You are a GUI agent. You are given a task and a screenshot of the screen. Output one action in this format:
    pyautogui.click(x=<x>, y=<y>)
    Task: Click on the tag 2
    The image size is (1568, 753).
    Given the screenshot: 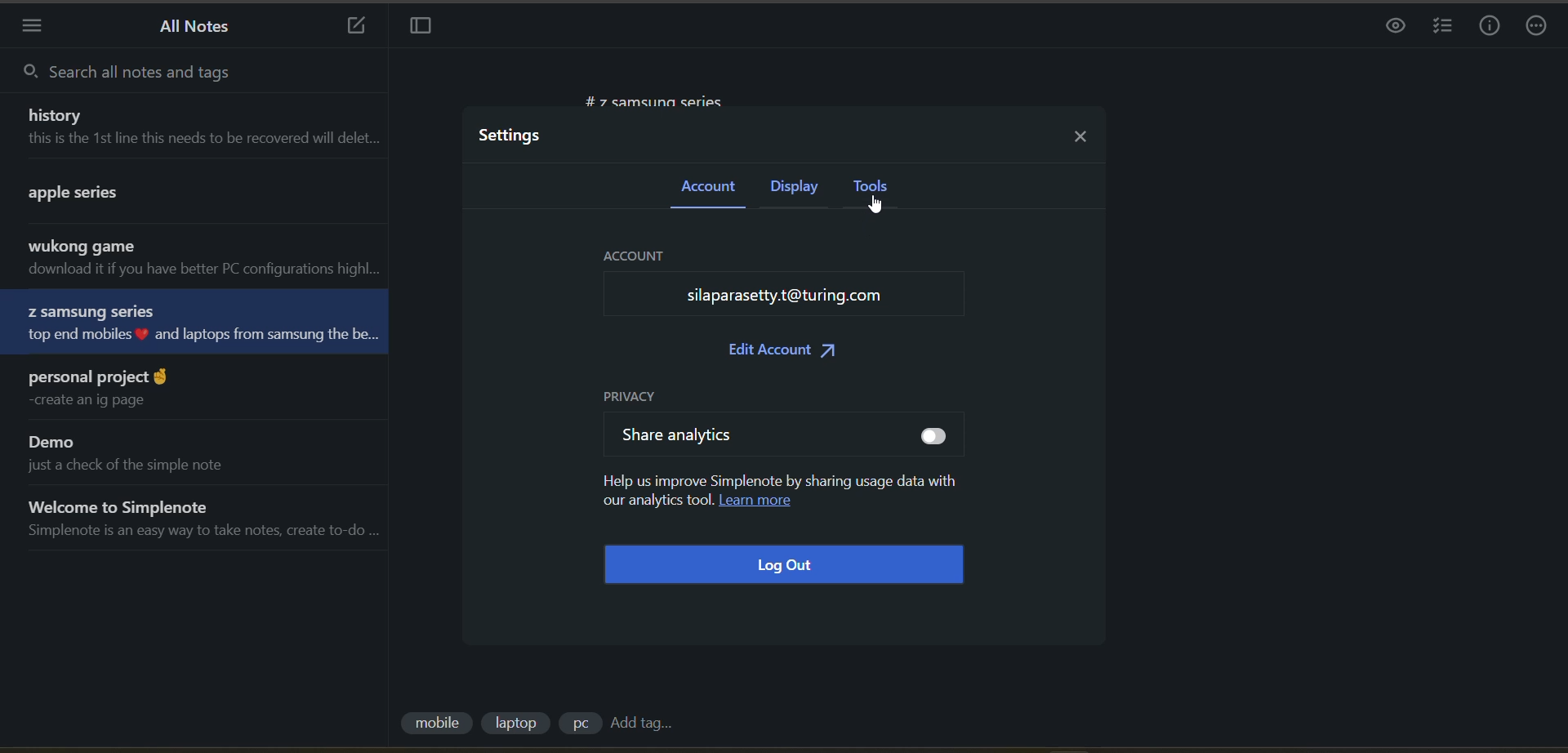 What is the action you would take?
    pyautogui.click(x=517, y=724)
    